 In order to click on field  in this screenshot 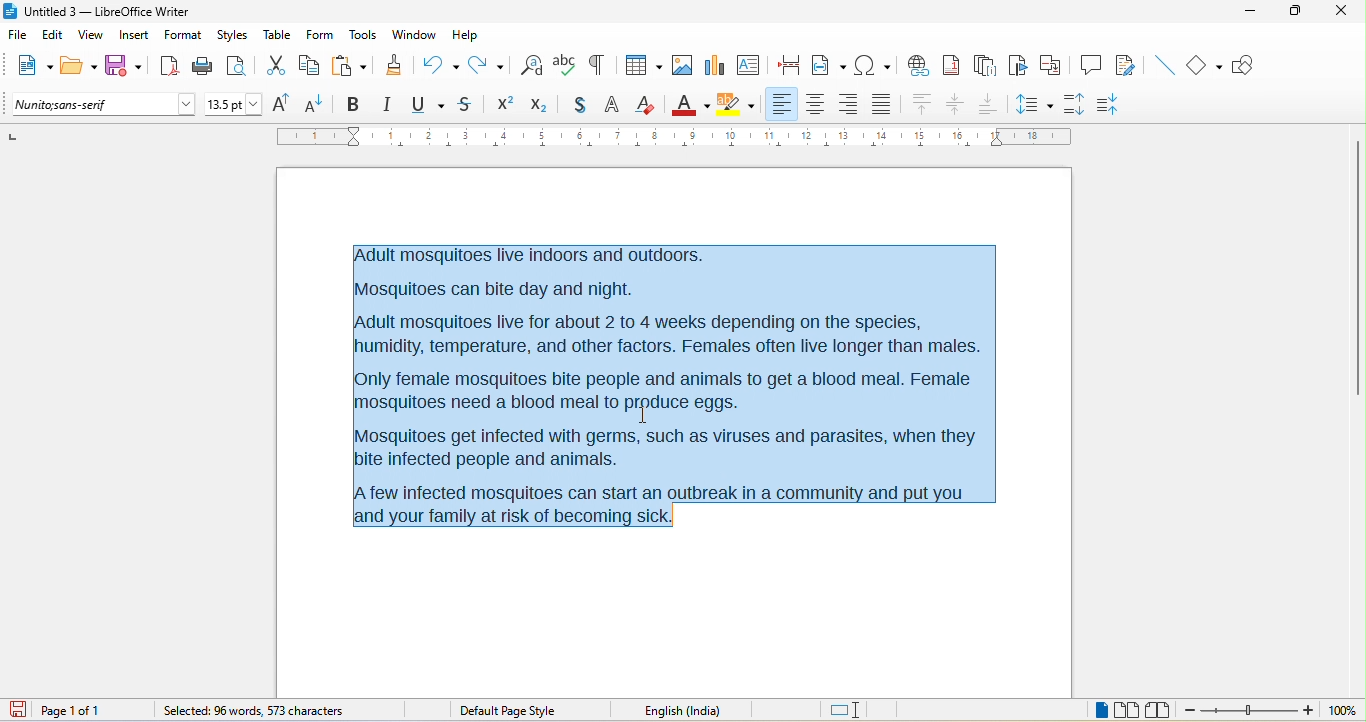, I will do `click(829, 66)`.